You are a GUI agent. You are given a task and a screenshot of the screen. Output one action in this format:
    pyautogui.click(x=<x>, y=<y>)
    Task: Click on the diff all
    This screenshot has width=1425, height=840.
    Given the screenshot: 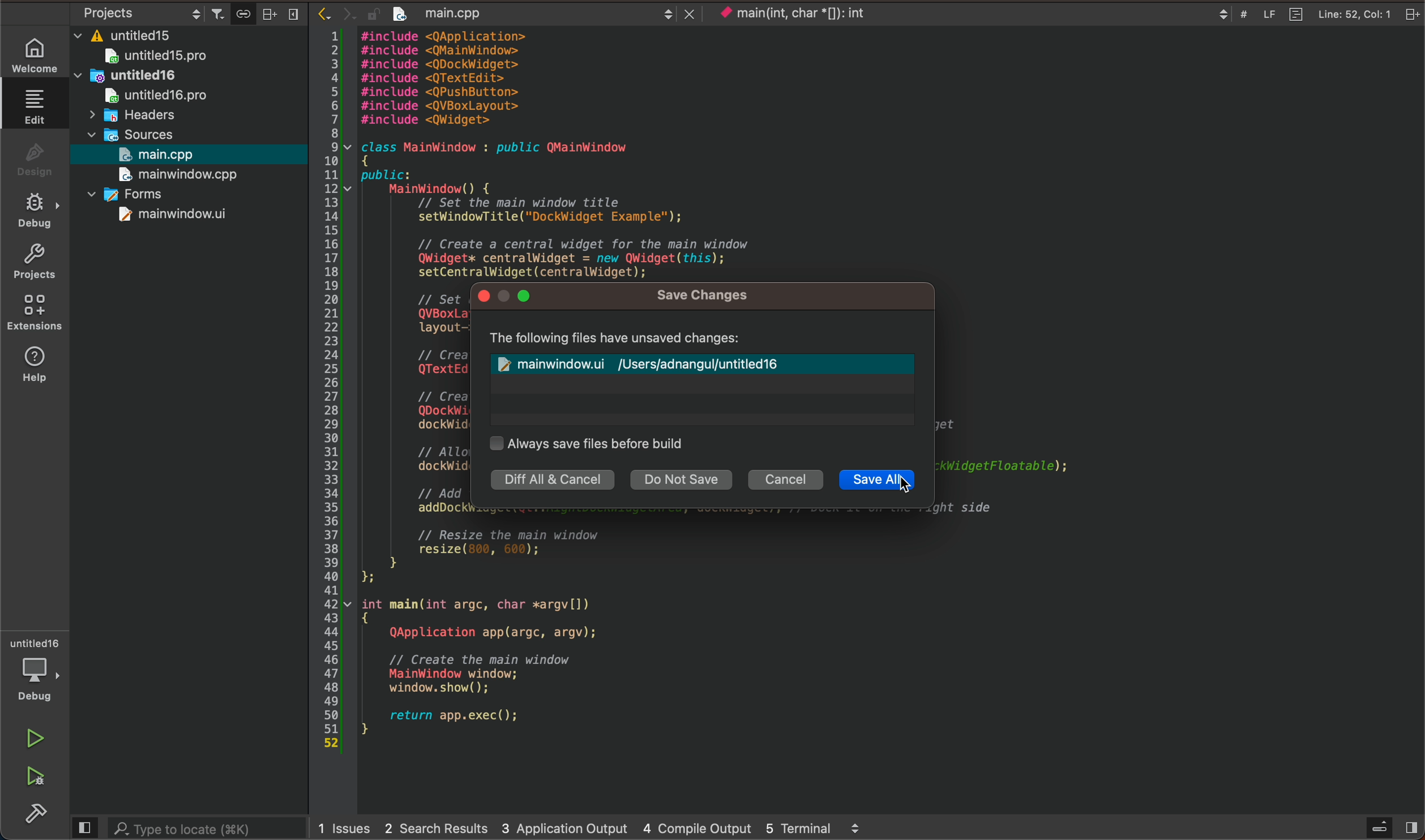 What is the action you would take?
    pyautogui.click(x=554, y=479)
    